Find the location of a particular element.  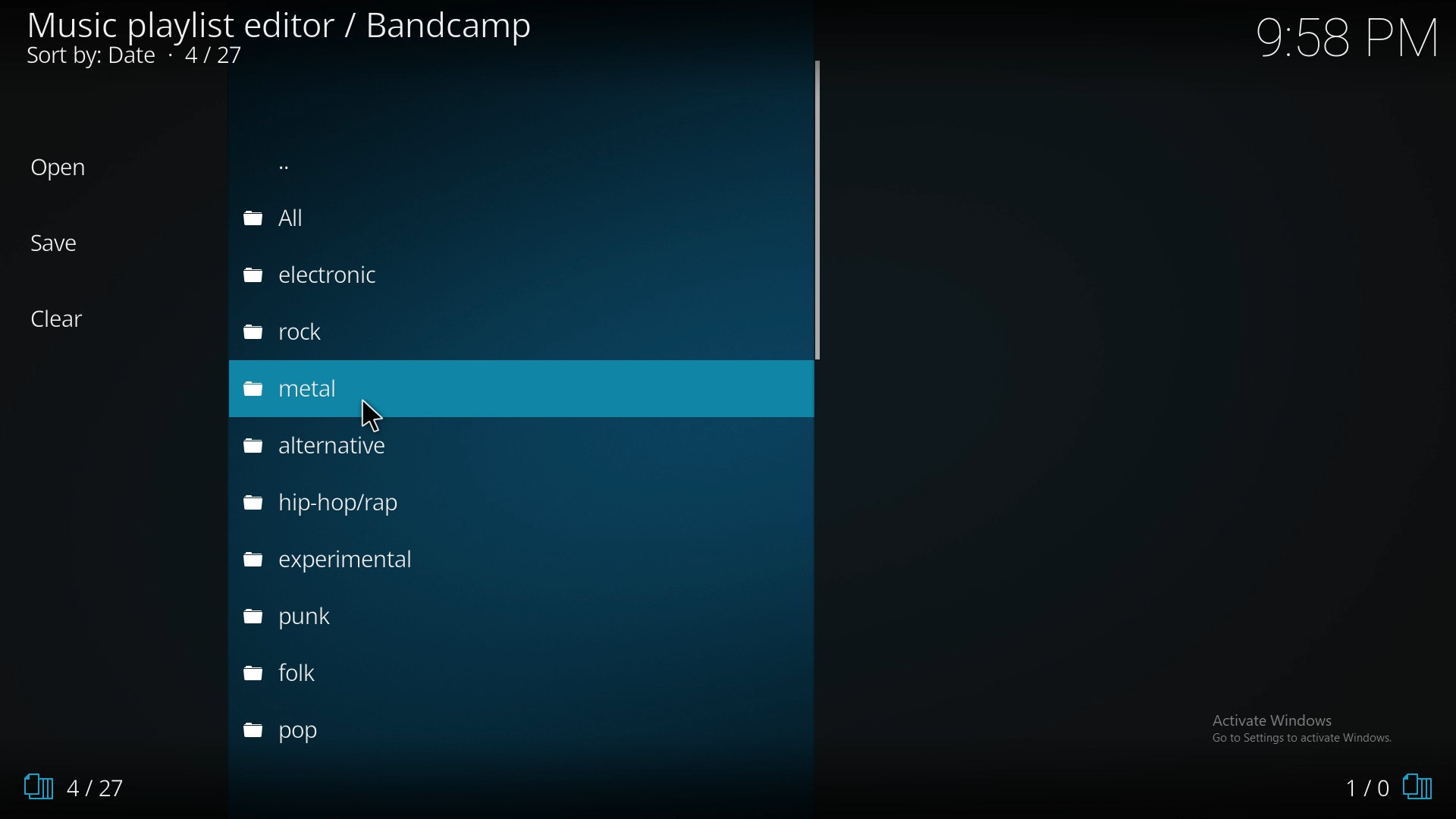

1/3 is located at coordinates (68, 787).